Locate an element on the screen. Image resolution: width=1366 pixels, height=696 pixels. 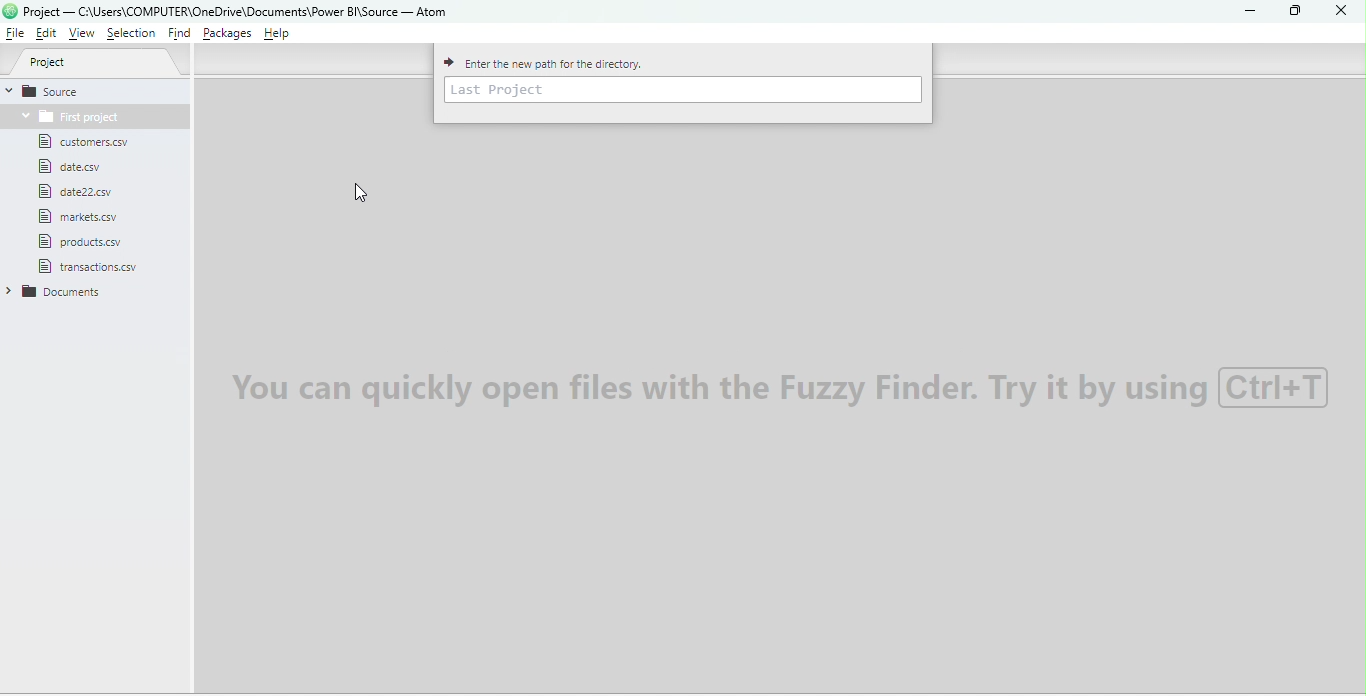
Help is located at coordinates (281, 35).